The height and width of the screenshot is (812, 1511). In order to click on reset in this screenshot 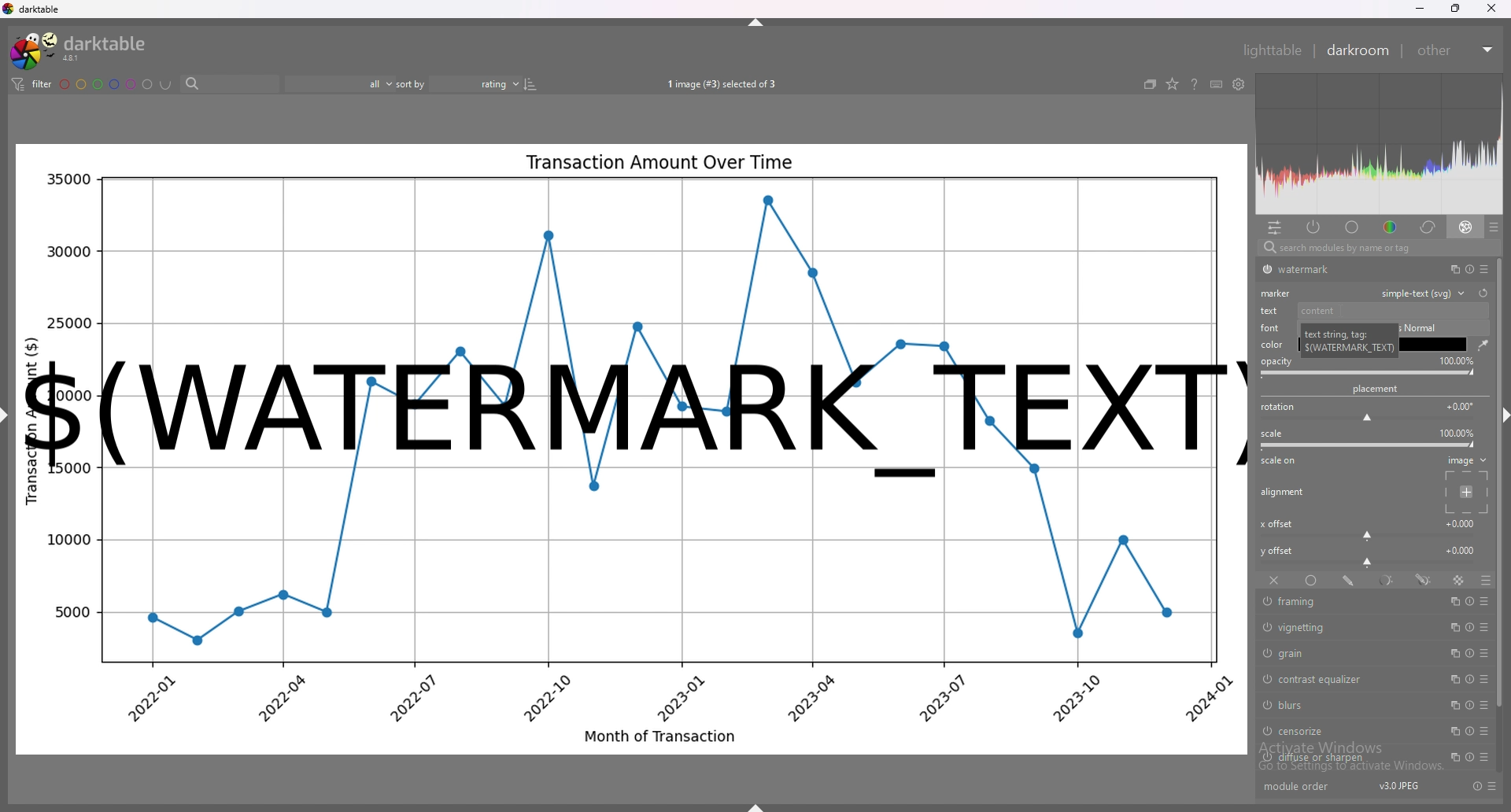, I will do `click(1470, 601)`.